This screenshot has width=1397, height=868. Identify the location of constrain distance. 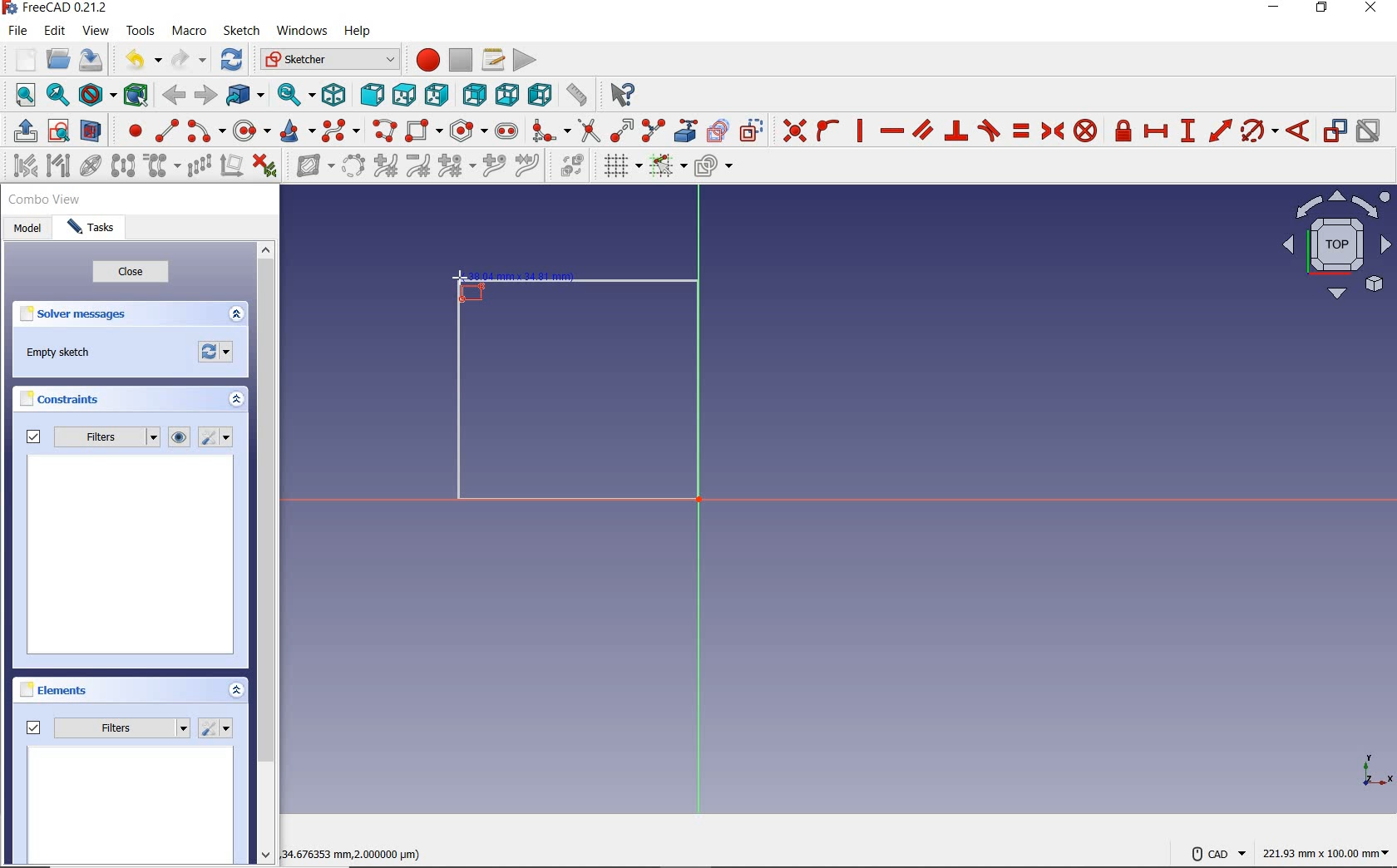
(1219, 131).